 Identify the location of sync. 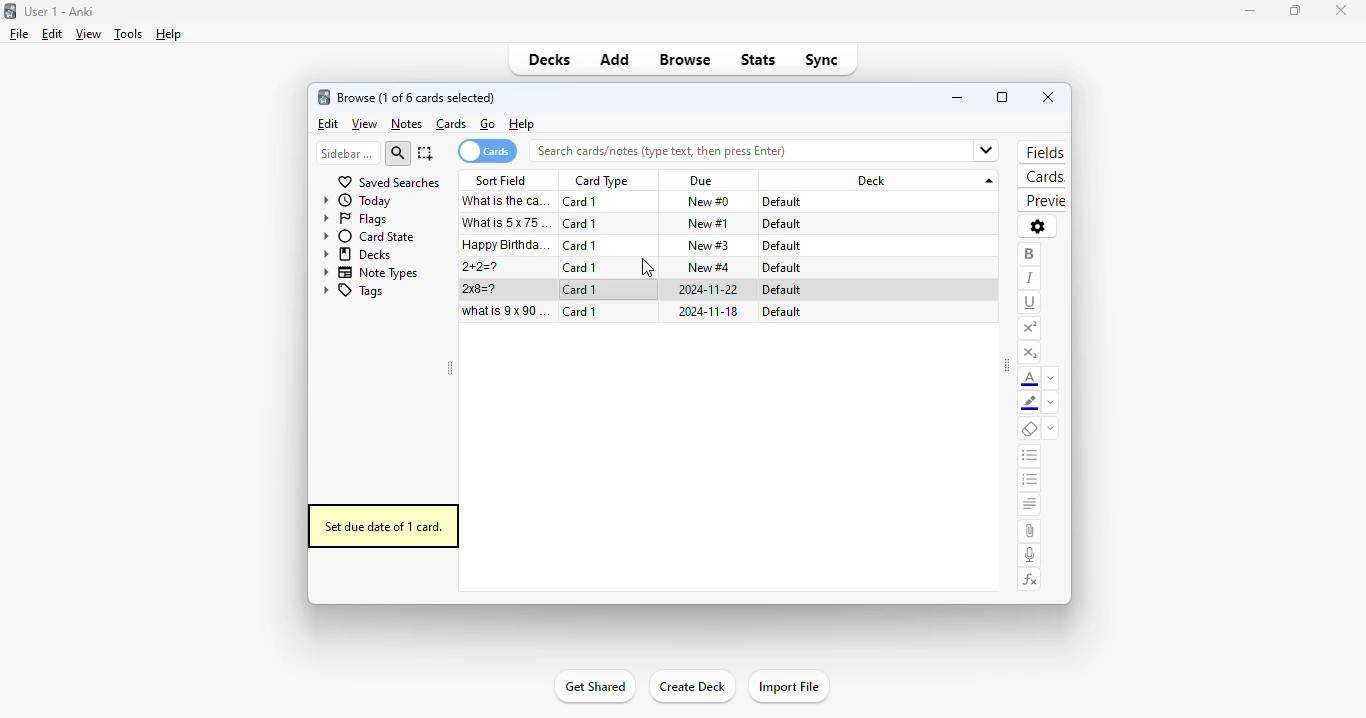
(821, 60).